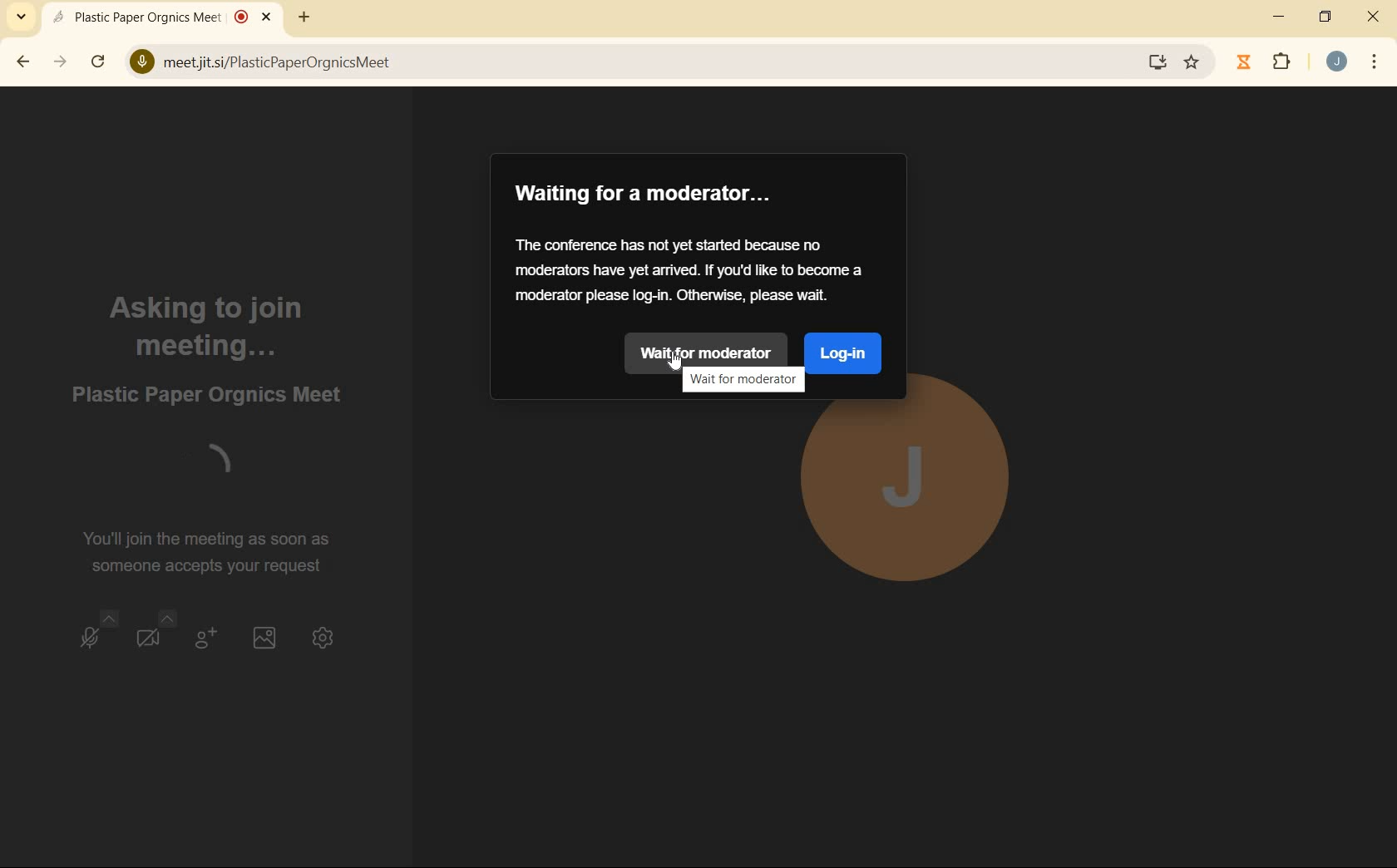 The width and height of the screenshot is (1397, 868). I want to click on back, so click(24, 62).